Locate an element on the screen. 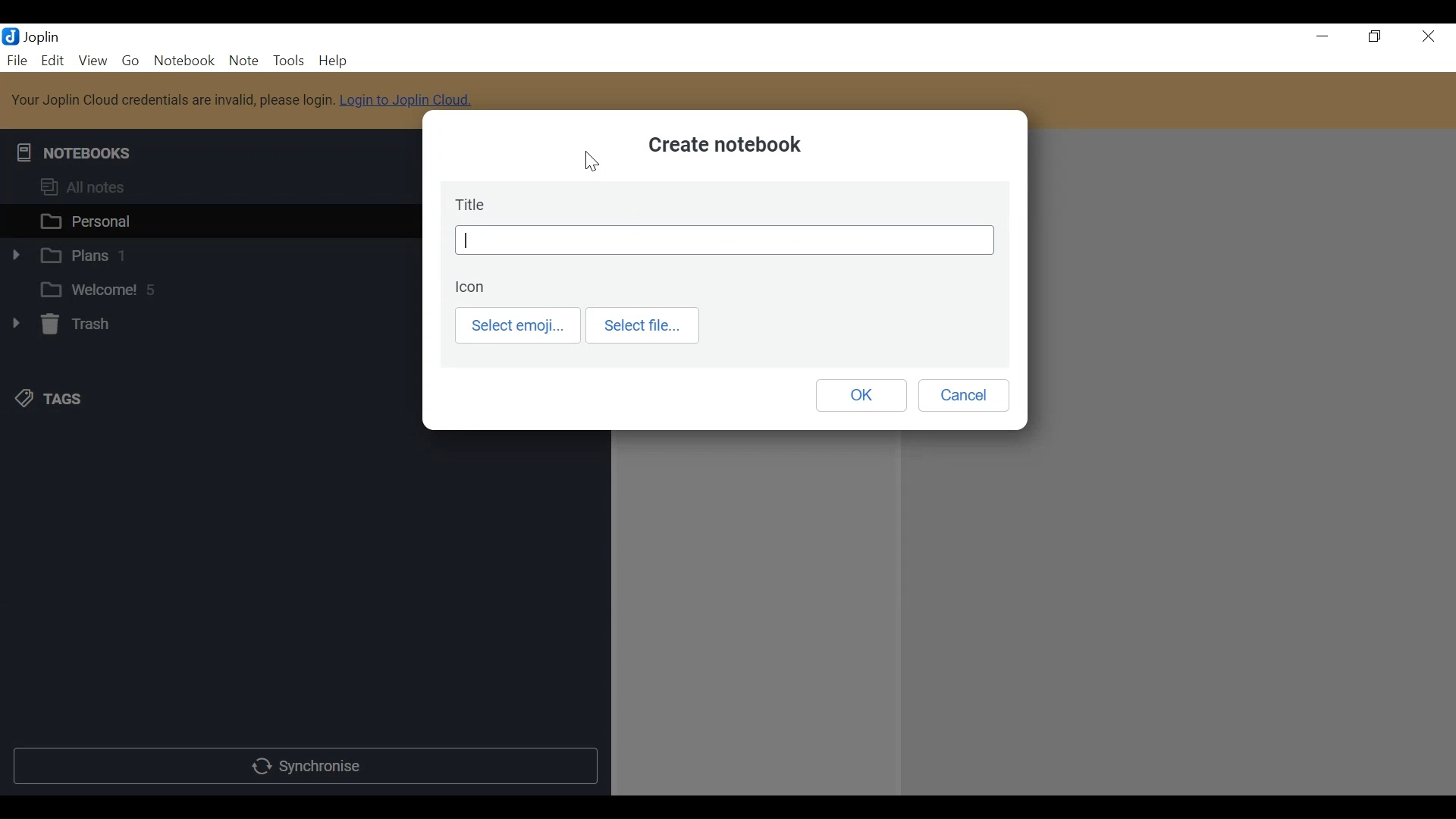  Synchronize is located at coordinates (303, 766).